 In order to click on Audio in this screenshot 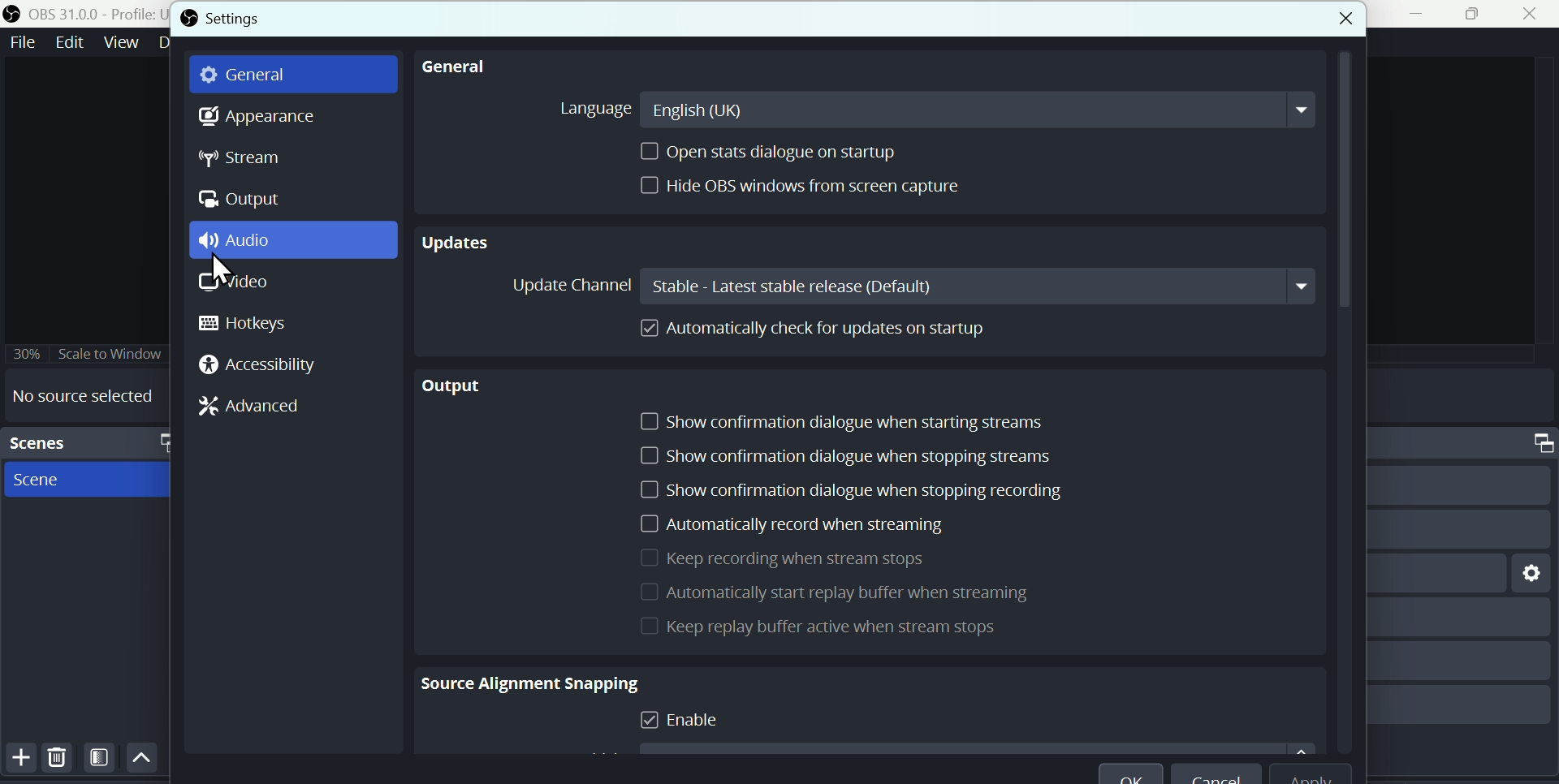, I will do `click(242, 242)`.